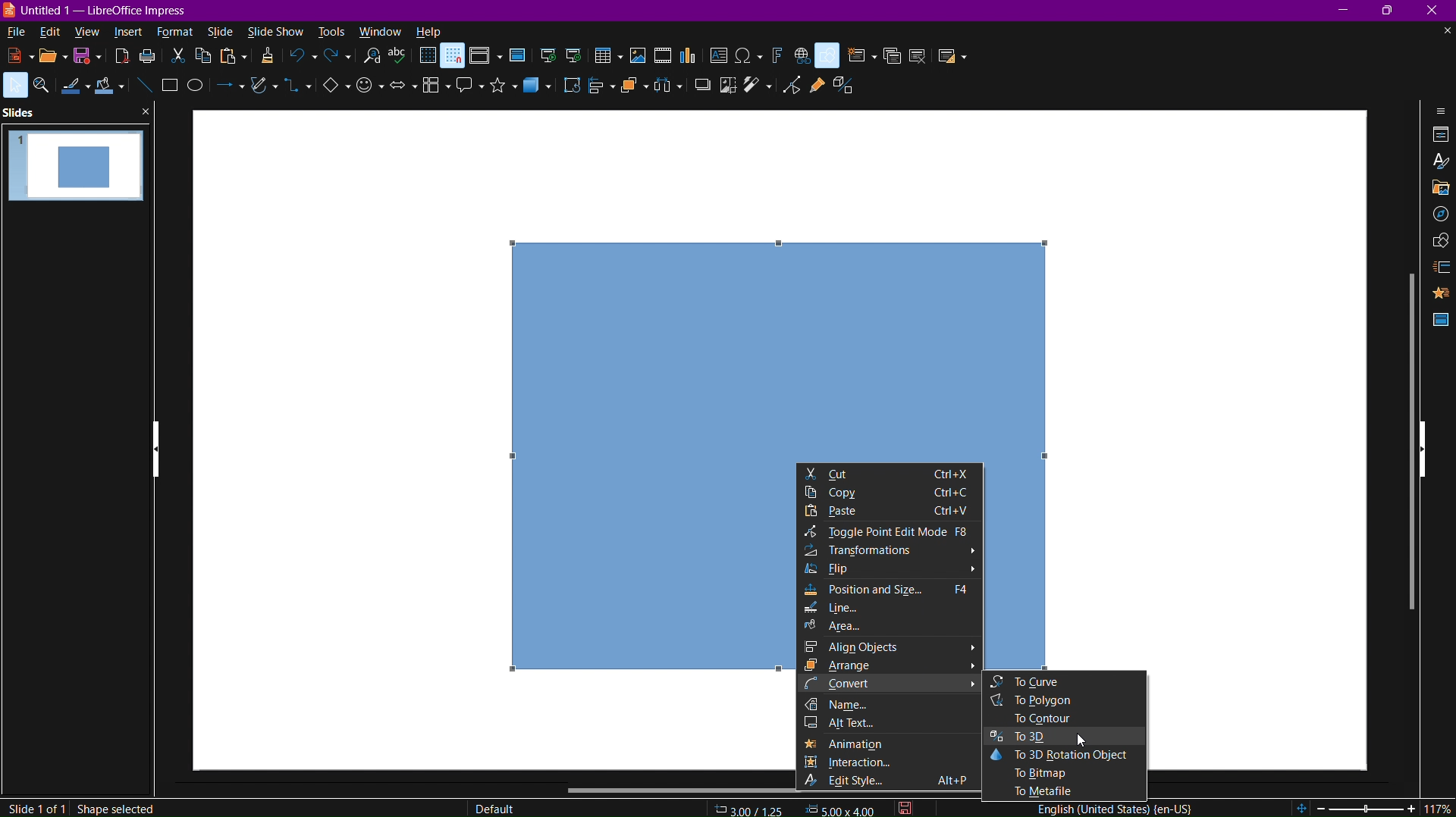 This screenshot has width=1456, height=817. Describe the element at coordinates (206, 58) in the screenshot. I see `Copy` at that location.